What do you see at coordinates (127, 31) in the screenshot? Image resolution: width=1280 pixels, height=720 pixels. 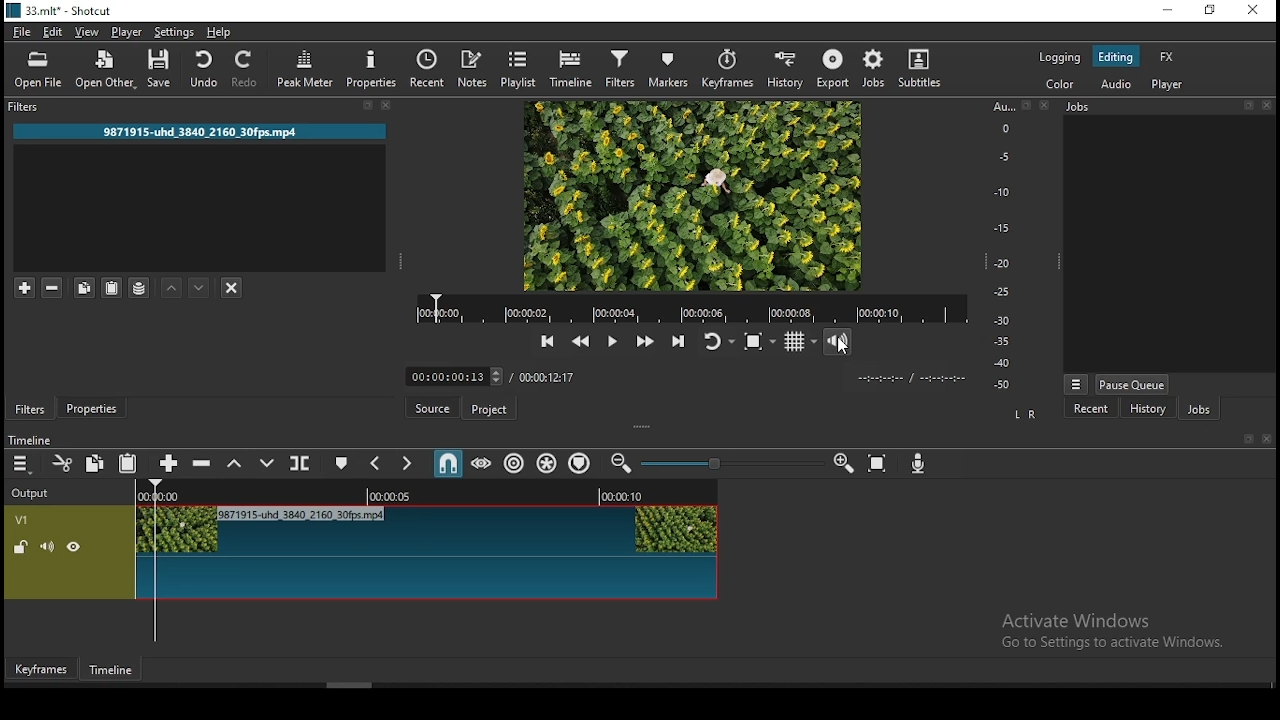 I see `player` at bounding box center [127, 31].